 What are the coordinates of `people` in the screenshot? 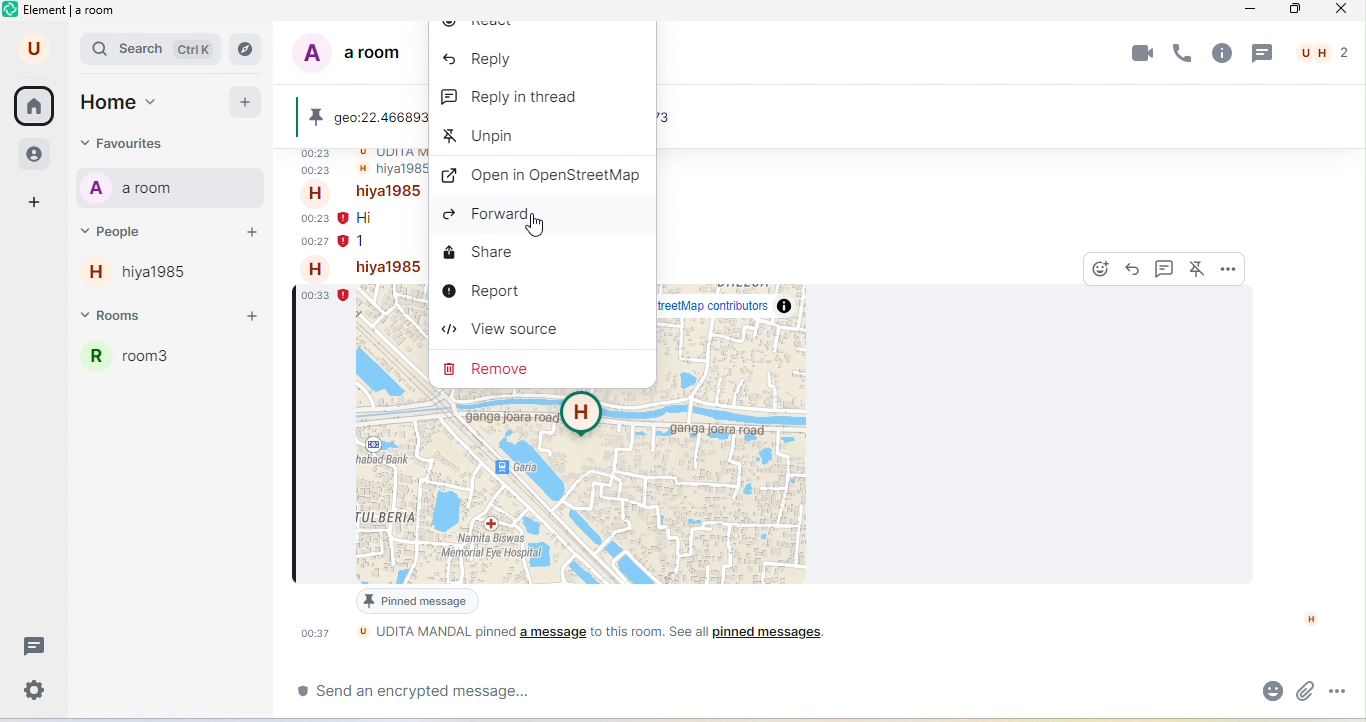 It's located at (1323, 53).